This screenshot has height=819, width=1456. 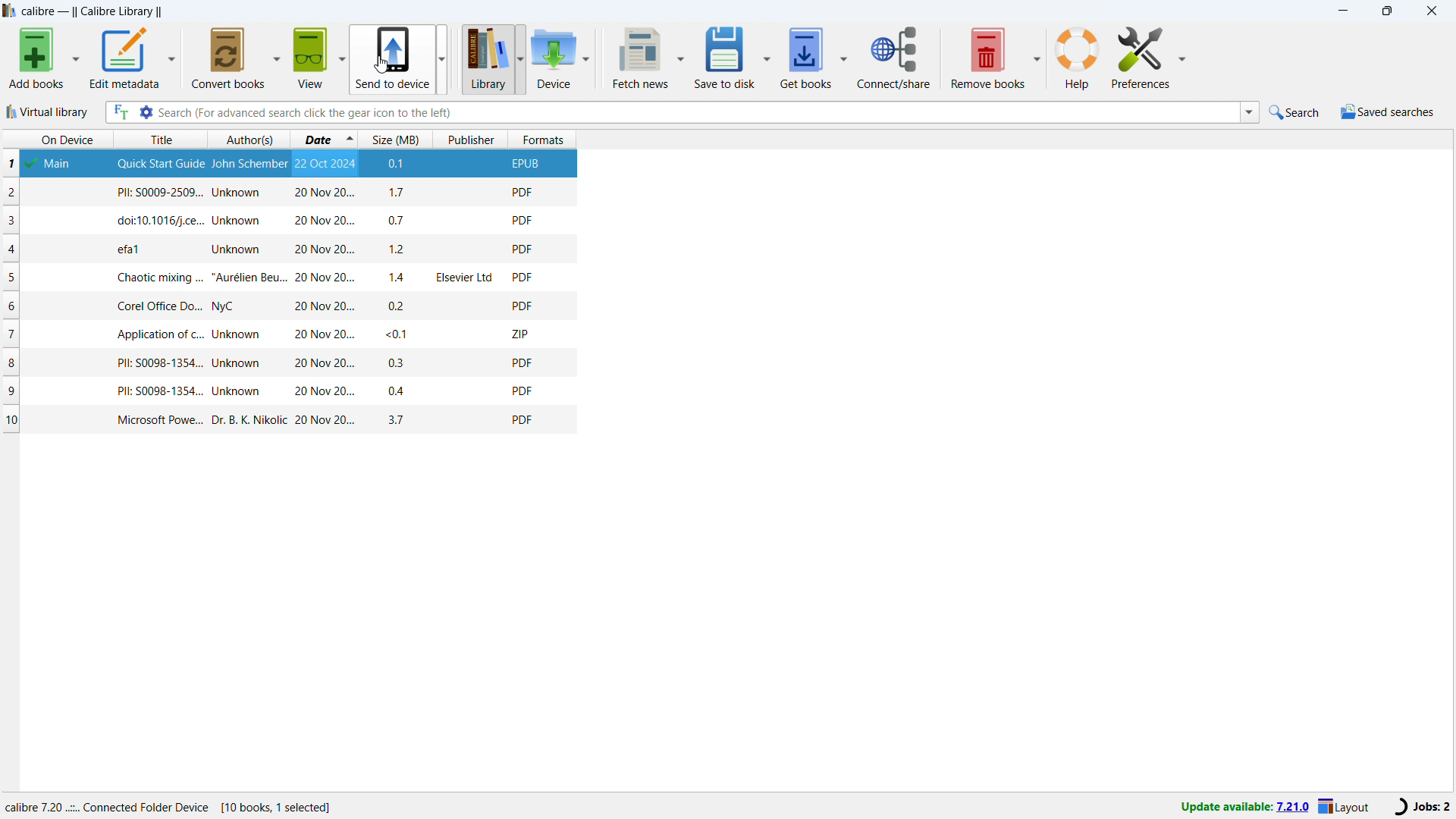 What do you see at coordinates (126, 58) in the screenshot?
I see `edit metadata options` at bounding box center [126, 58].